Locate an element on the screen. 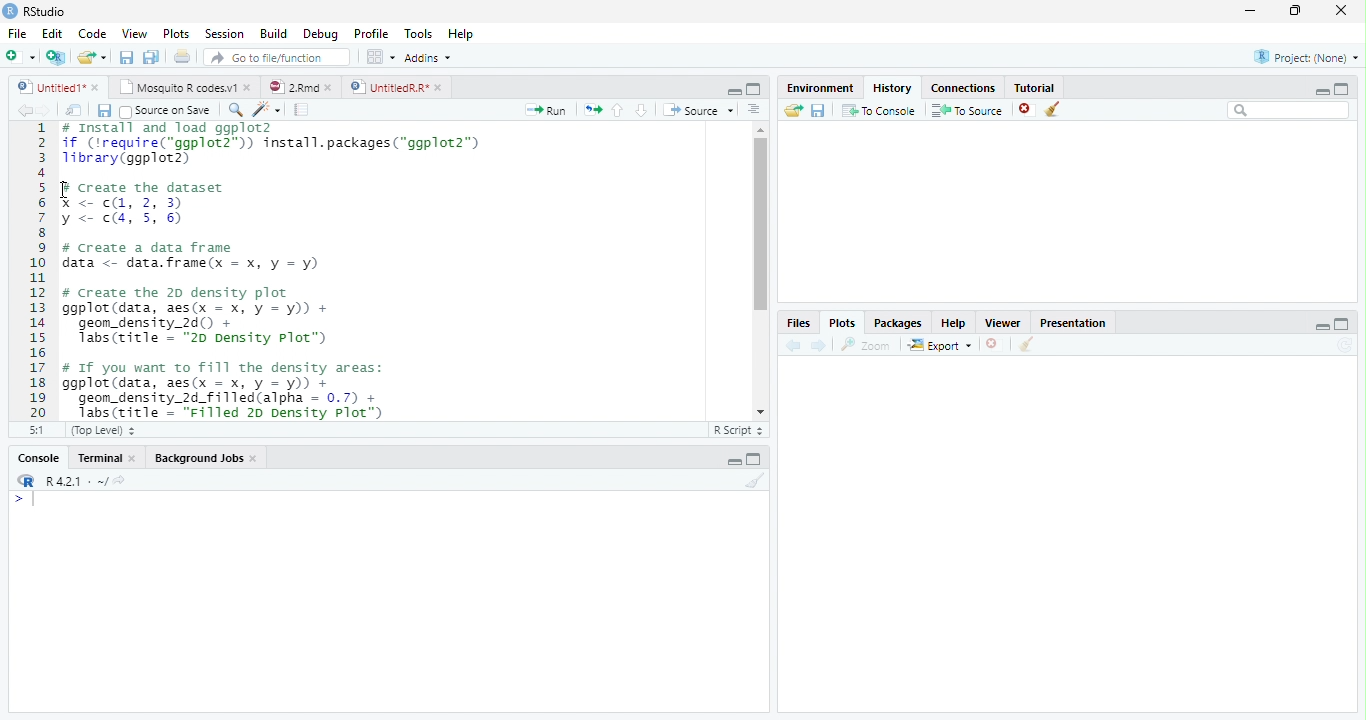  Help is located at coordinates (953, 325).